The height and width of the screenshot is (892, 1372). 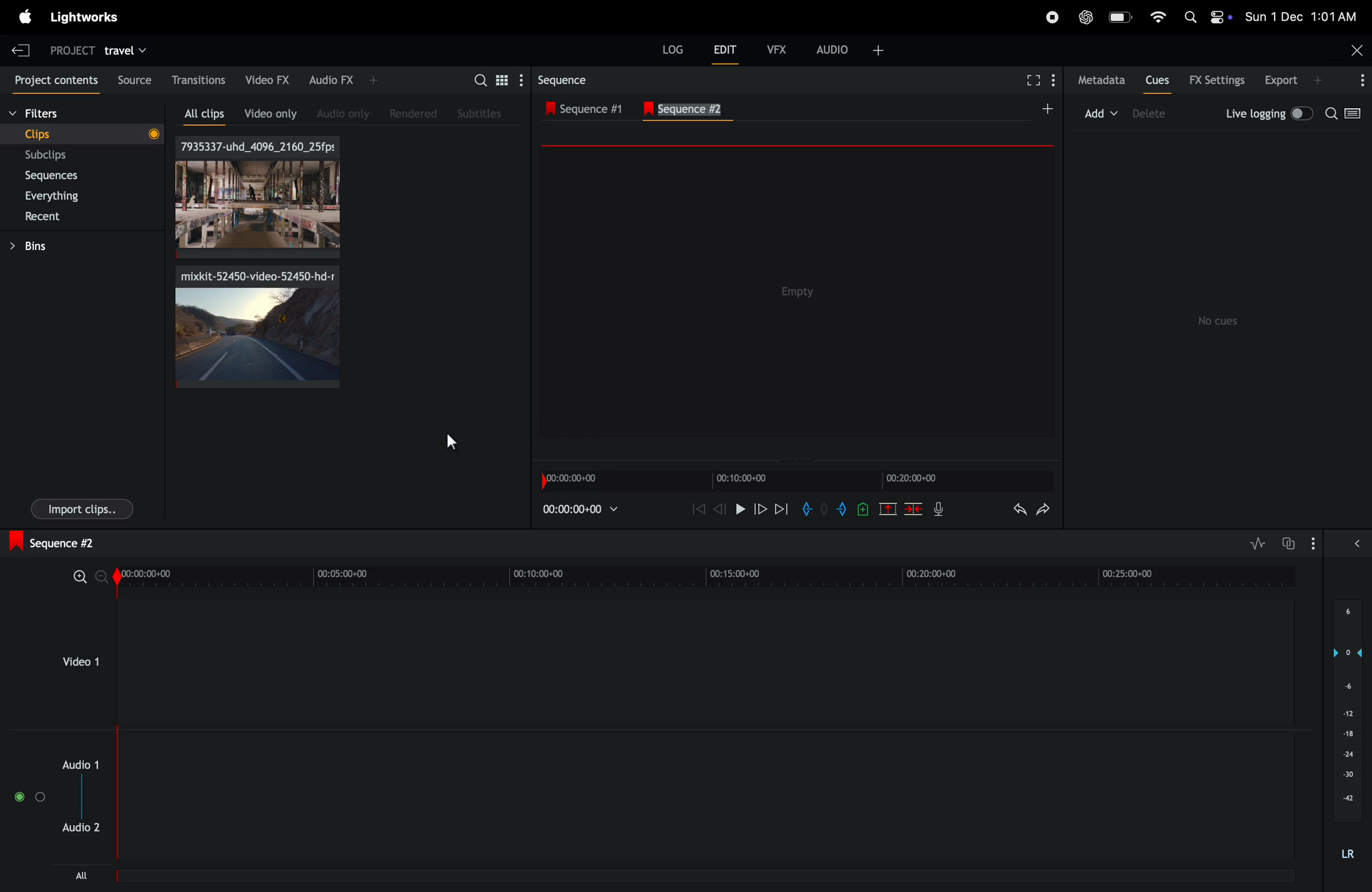 I want to click on show settings menu, so click(x=1316, y=543).